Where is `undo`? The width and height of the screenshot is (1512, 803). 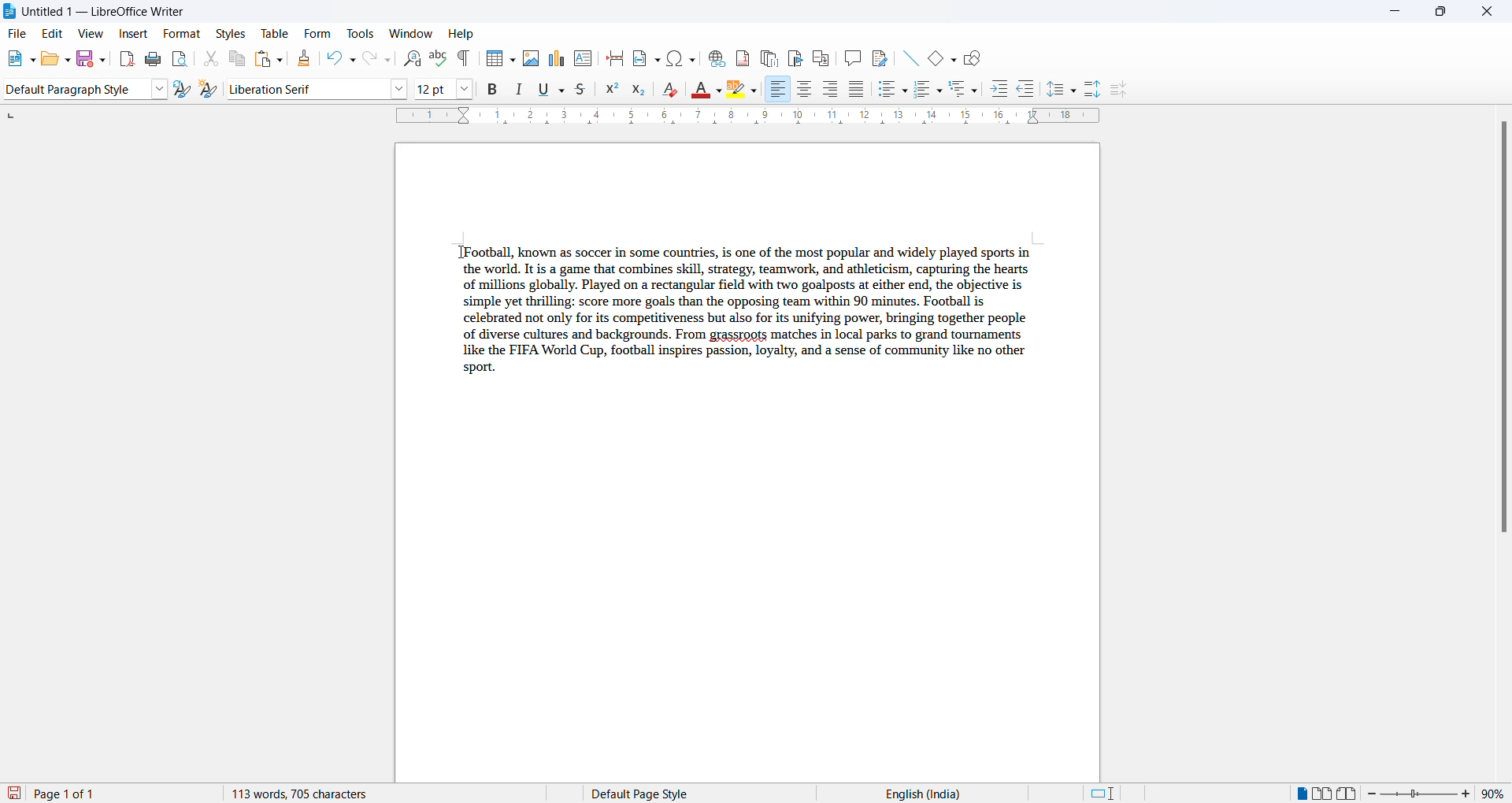 undo is located at coordinates (338, 58).